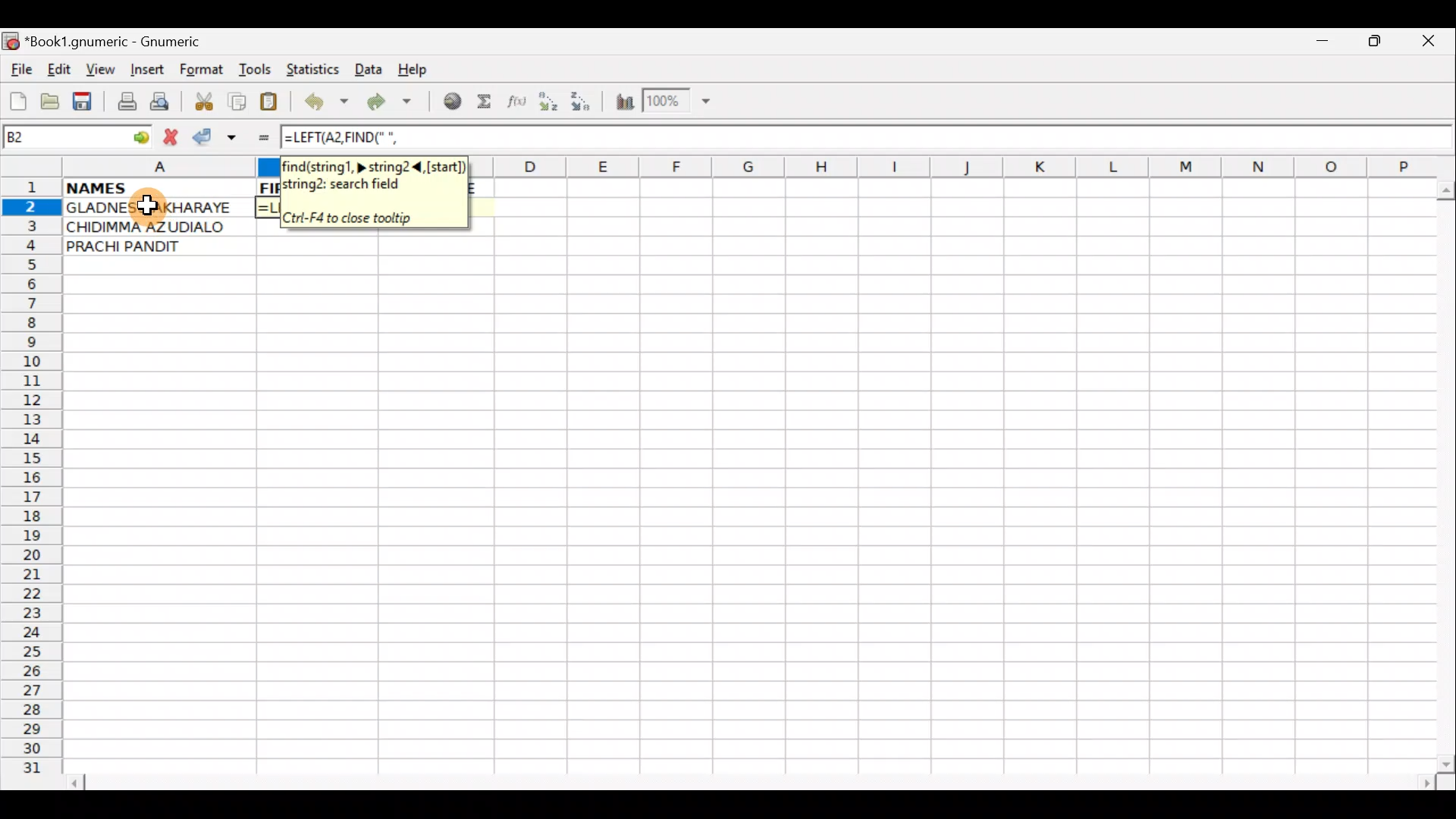  Describe the element at coordinates (274, 104) in the screenshot. I see `Paste clipboard` at that location.